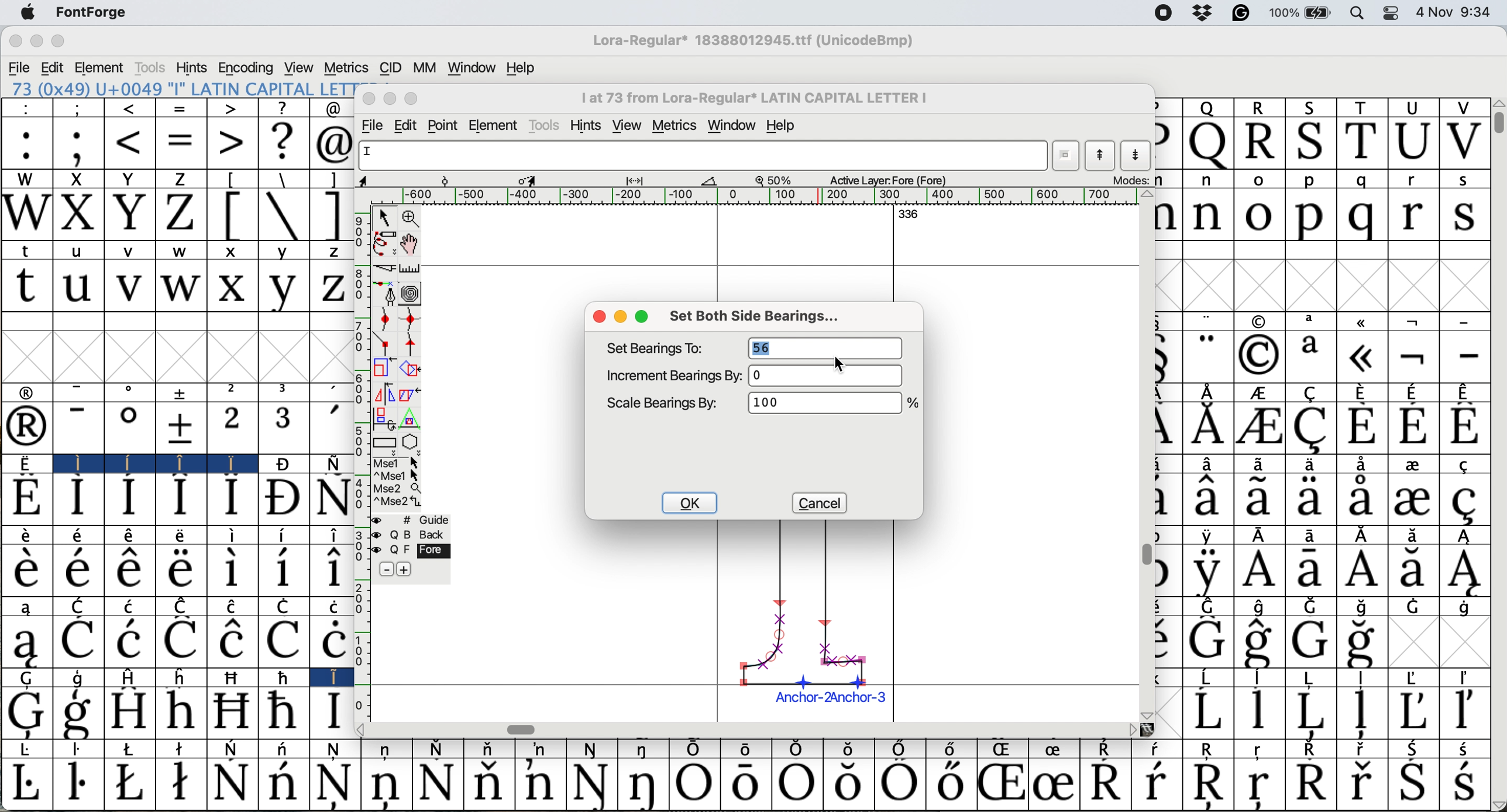  I want to click on Symbol, so click(282, 570).